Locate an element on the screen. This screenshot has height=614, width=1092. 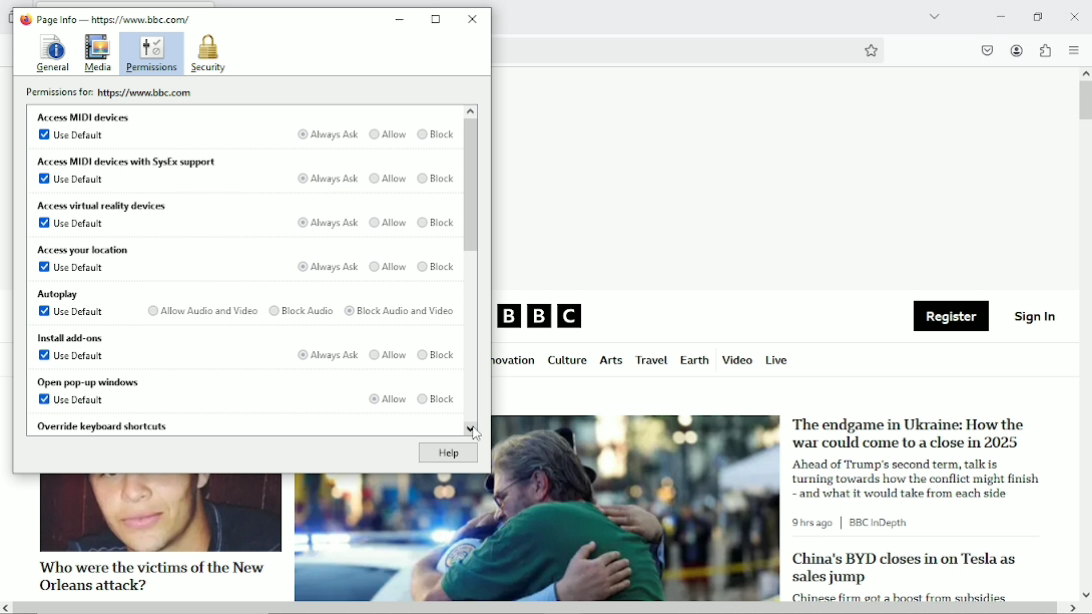
Block is located at coordinates (436, 222).